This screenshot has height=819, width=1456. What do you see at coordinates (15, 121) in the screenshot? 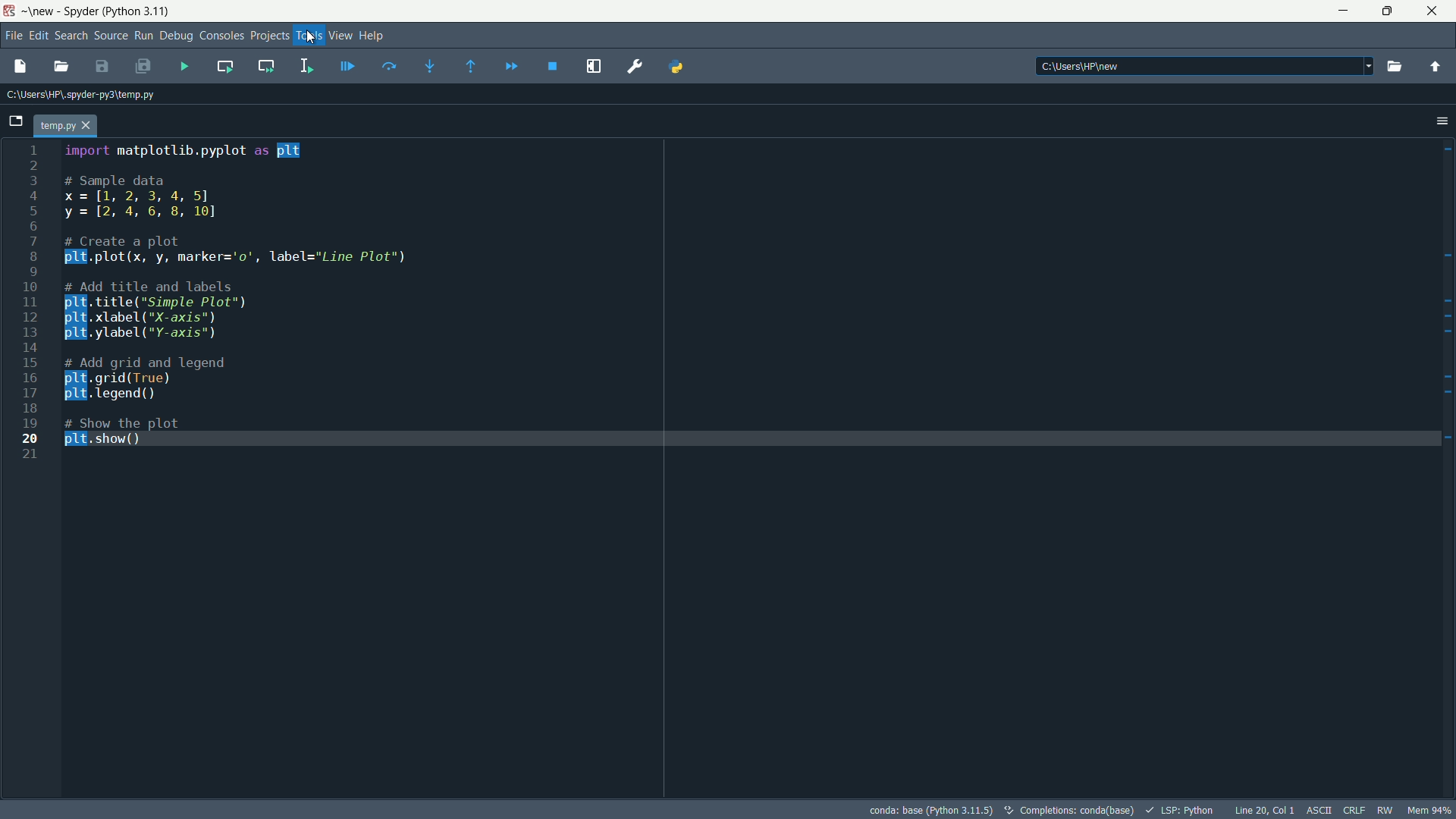
I see `browse tabs` at bounding box center [15, 121].